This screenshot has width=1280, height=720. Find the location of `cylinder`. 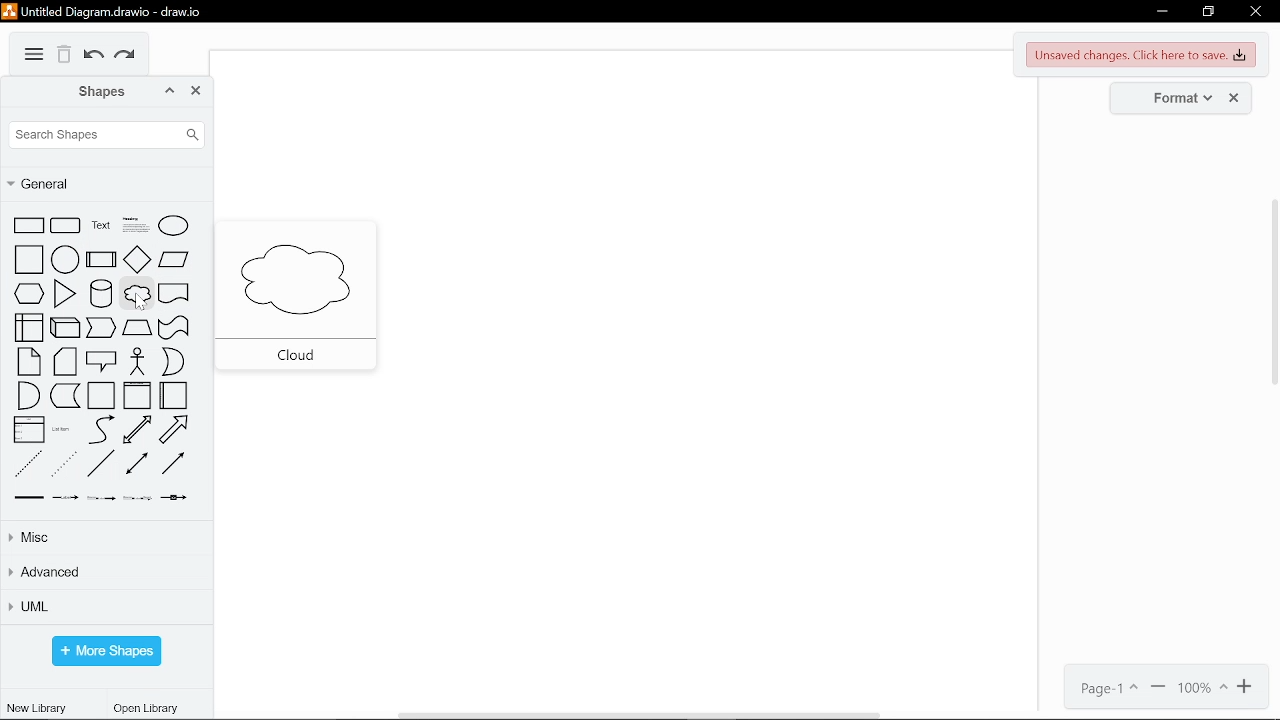

cylinder is located at coordinates (100, 294).